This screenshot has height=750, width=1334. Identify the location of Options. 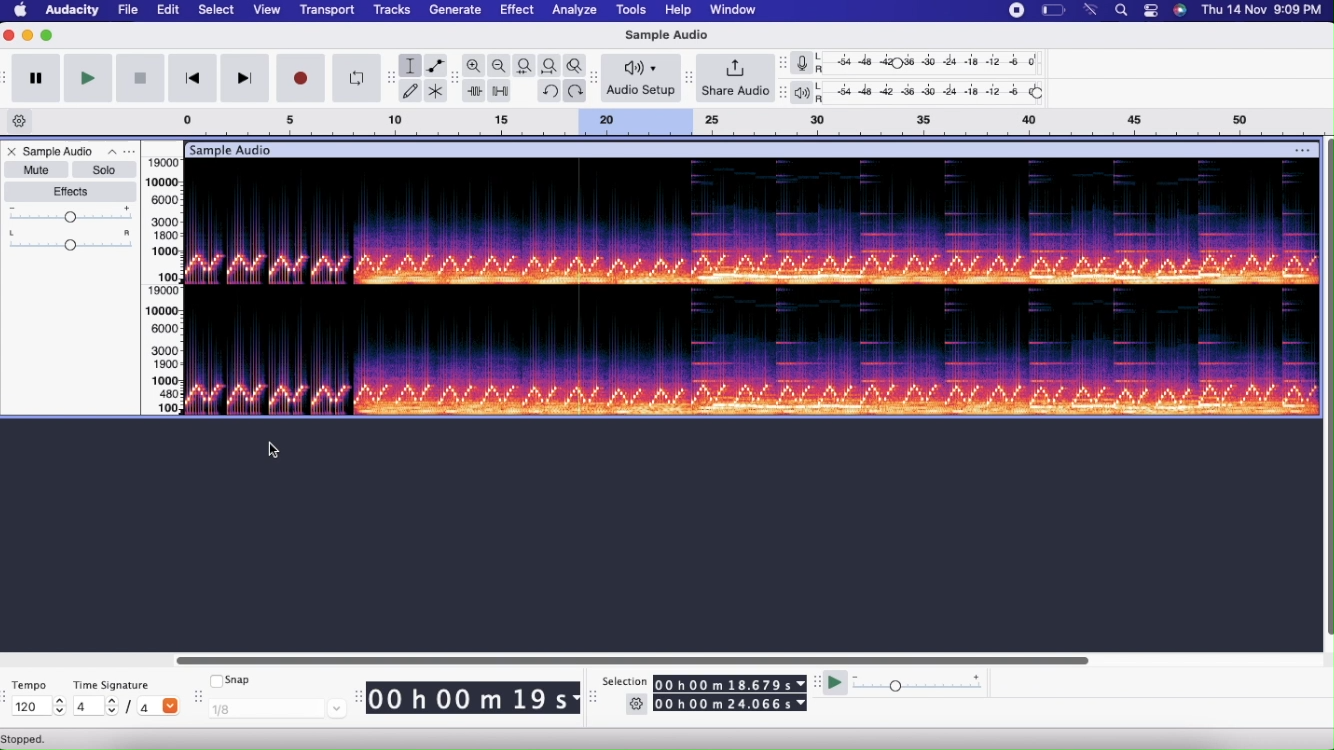
(122, 149).